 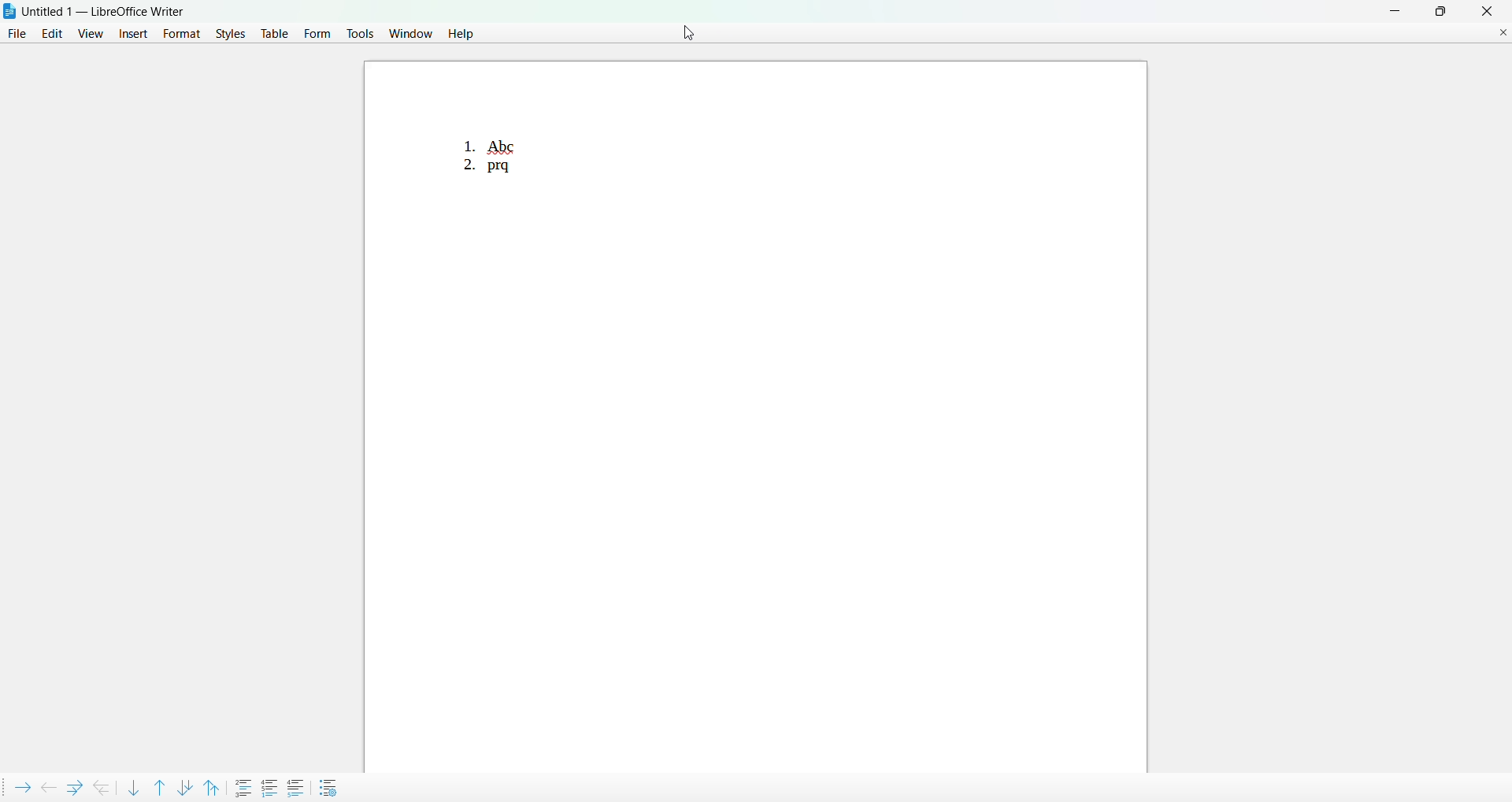 I want to click on add to list, so click(x=295, y=787).